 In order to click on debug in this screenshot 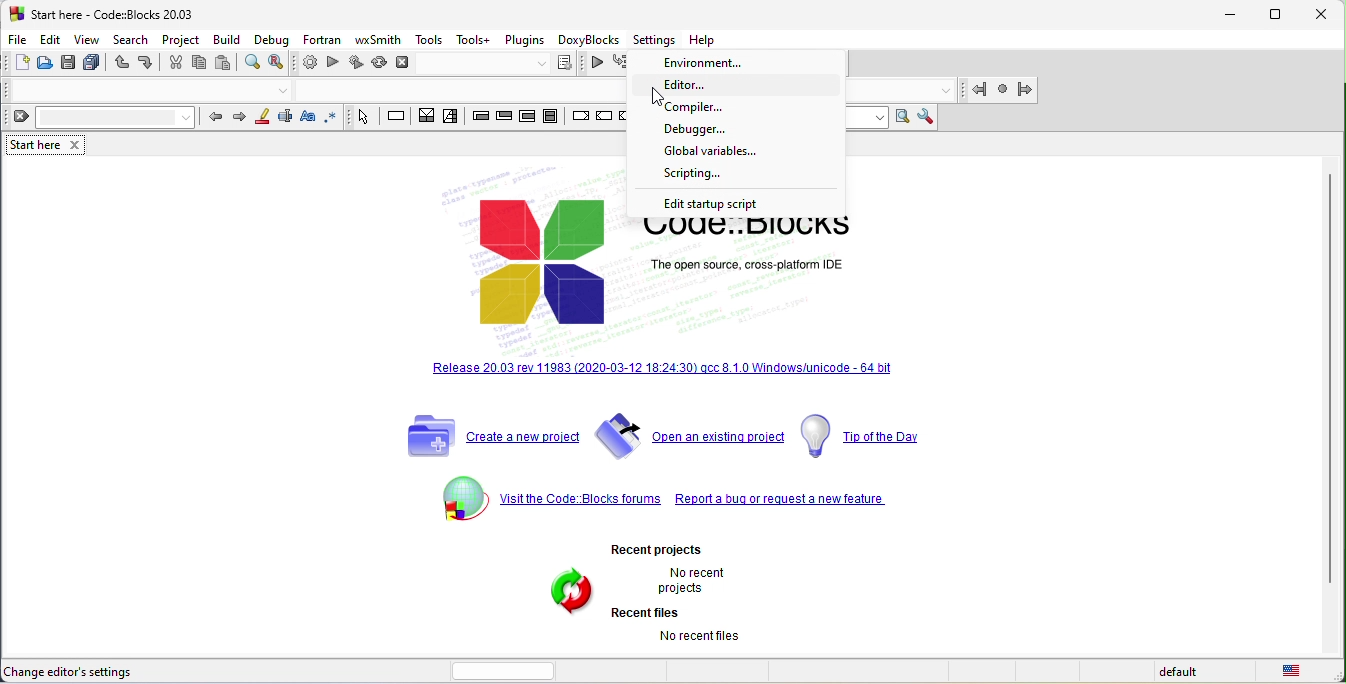, I will do `click(271, 41)`.